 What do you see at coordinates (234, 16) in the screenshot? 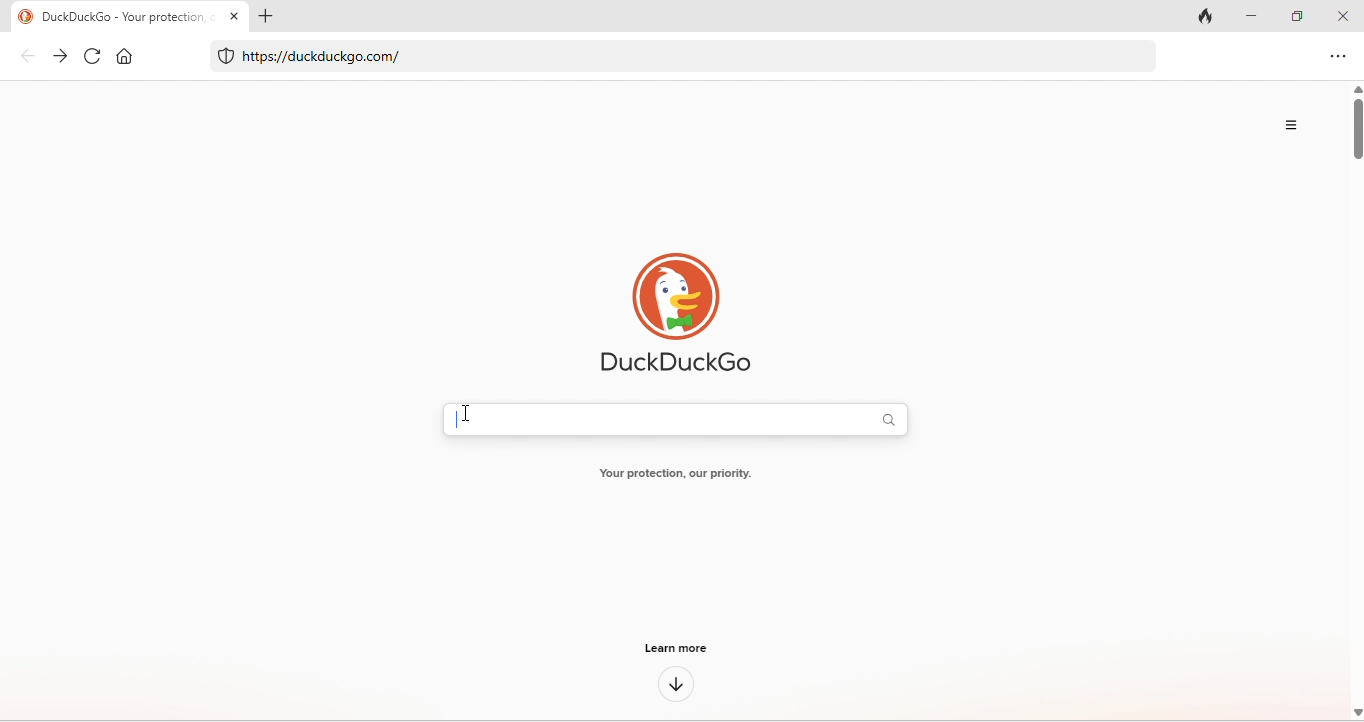
I see `close` at bounding box center [234, 16].